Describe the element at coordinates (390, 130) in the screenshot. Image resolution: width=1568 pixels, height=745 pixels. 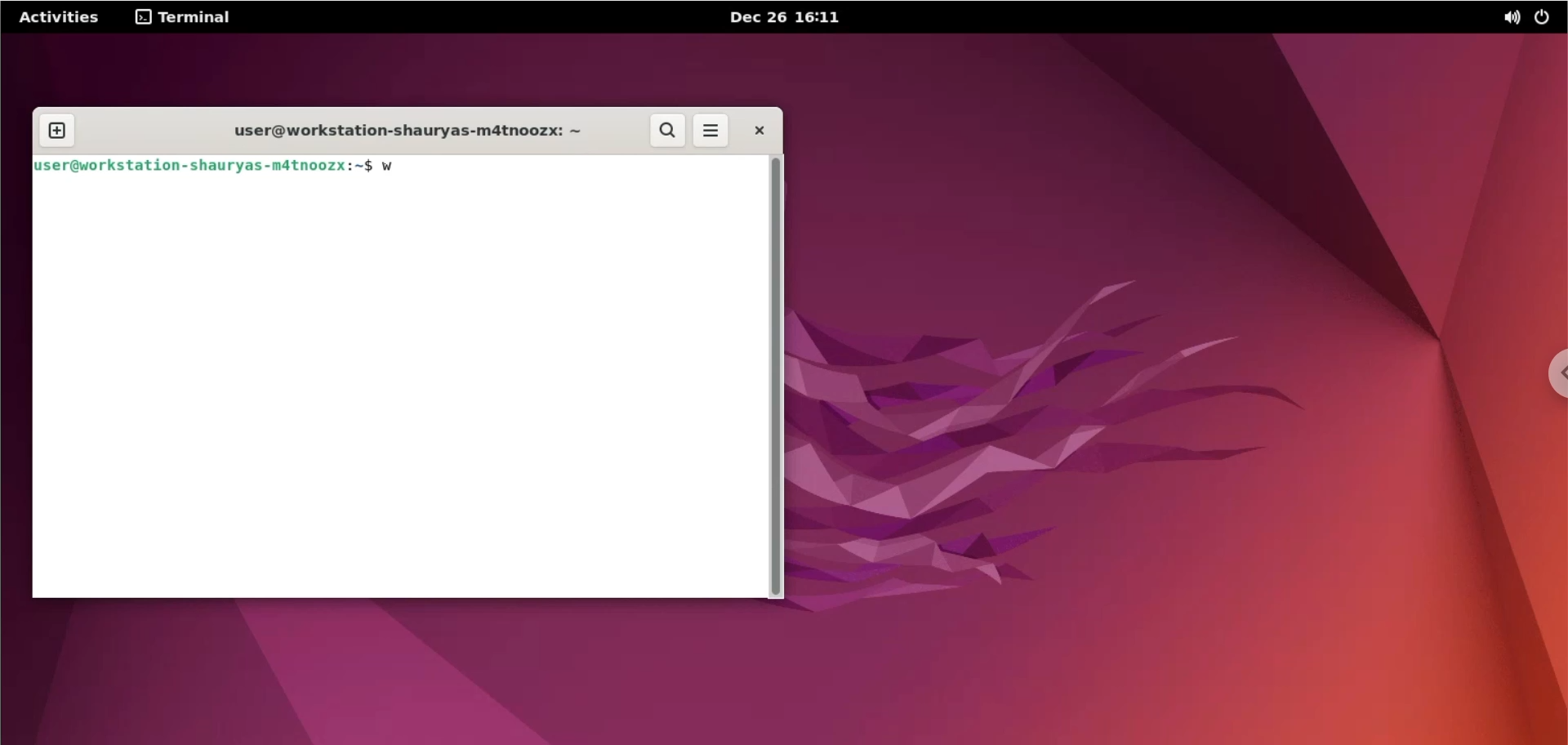
I see `terminal  title: user@workstation-shauryas-m4tnoozx: ~` at that location.